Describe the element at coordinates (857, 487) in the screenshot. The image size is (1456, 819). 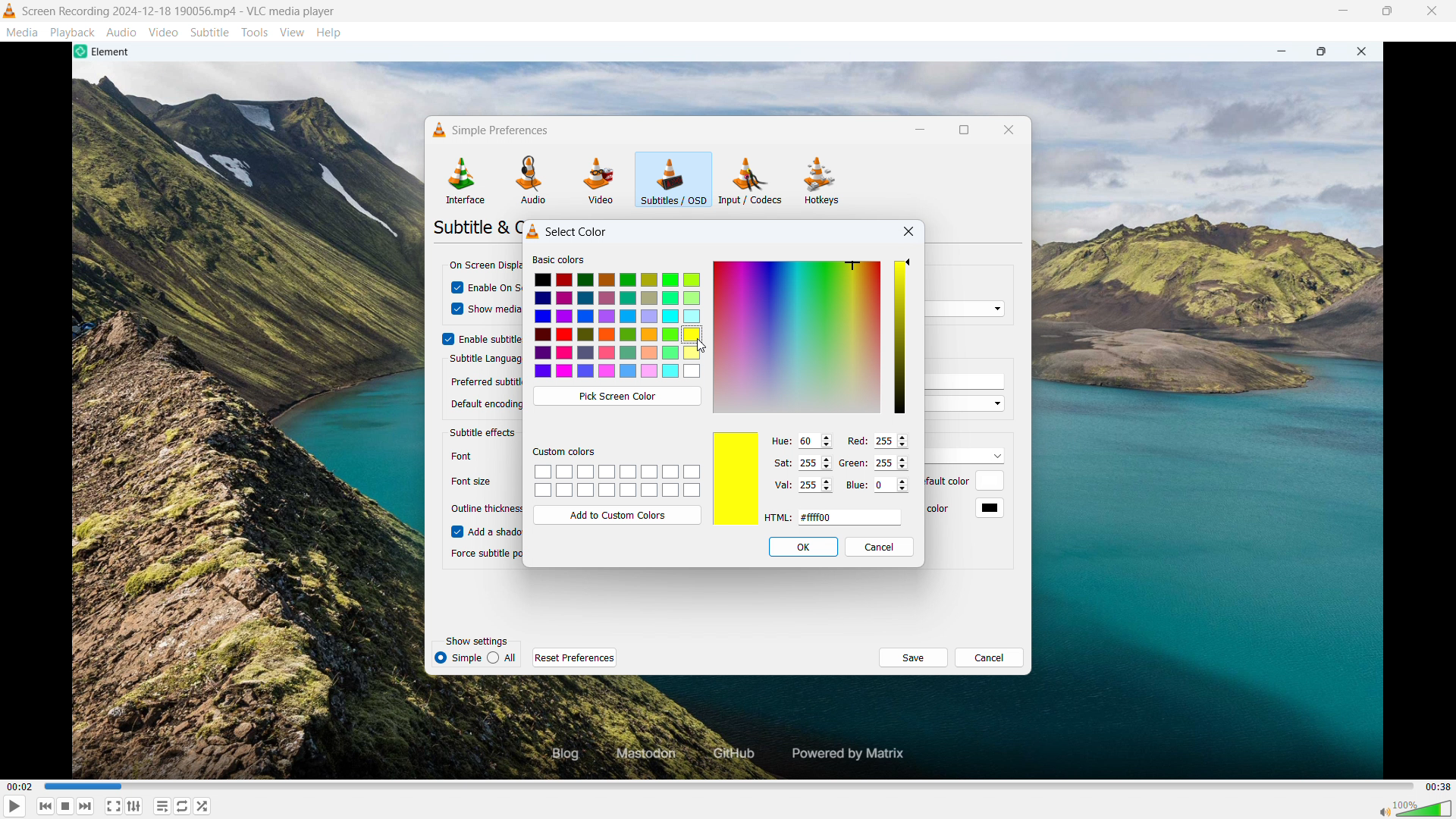
I see `Blue` at that location.